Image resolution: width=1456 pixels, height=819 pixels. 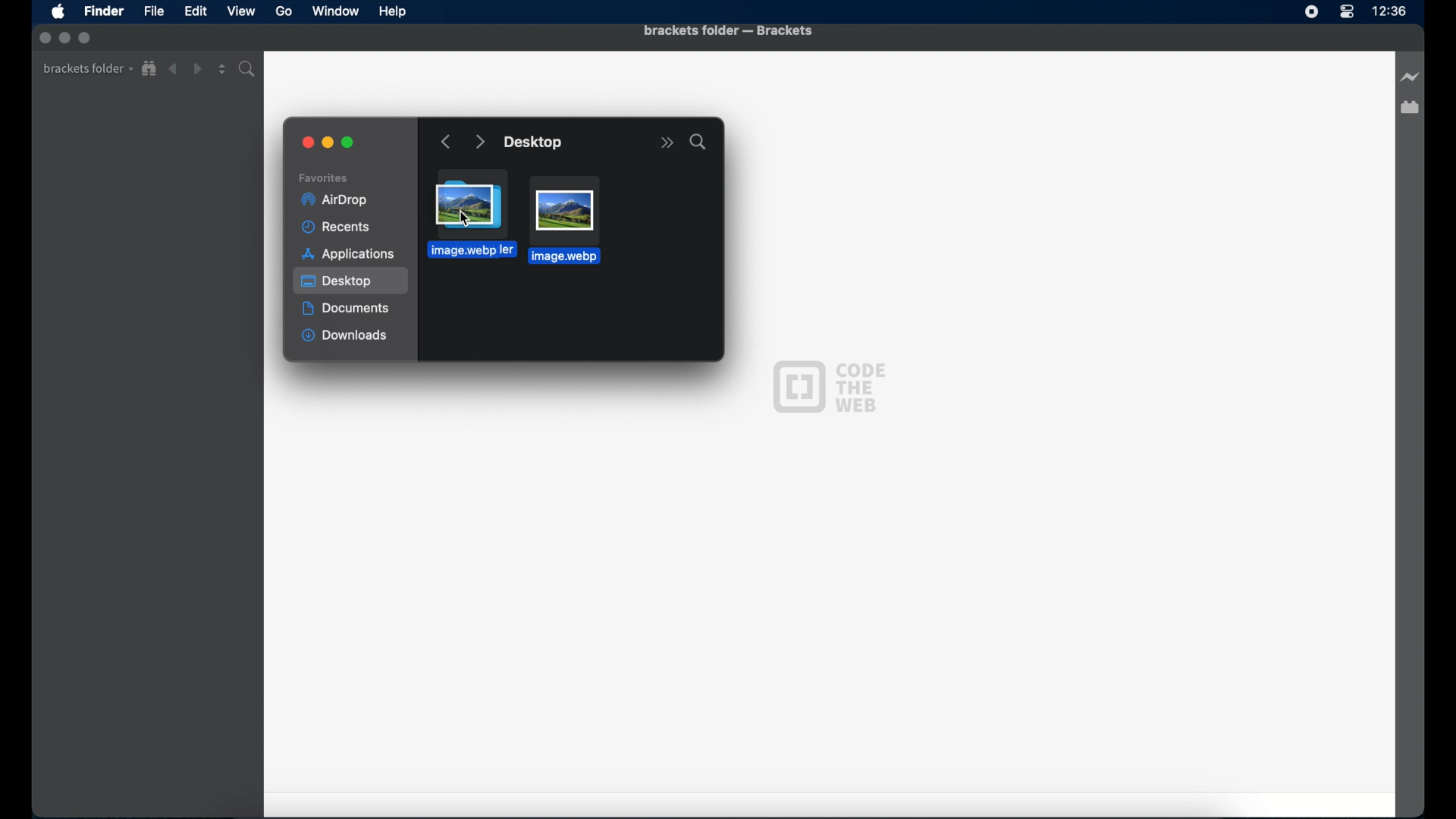 I want to click on forward, so click(x=197, y=69).